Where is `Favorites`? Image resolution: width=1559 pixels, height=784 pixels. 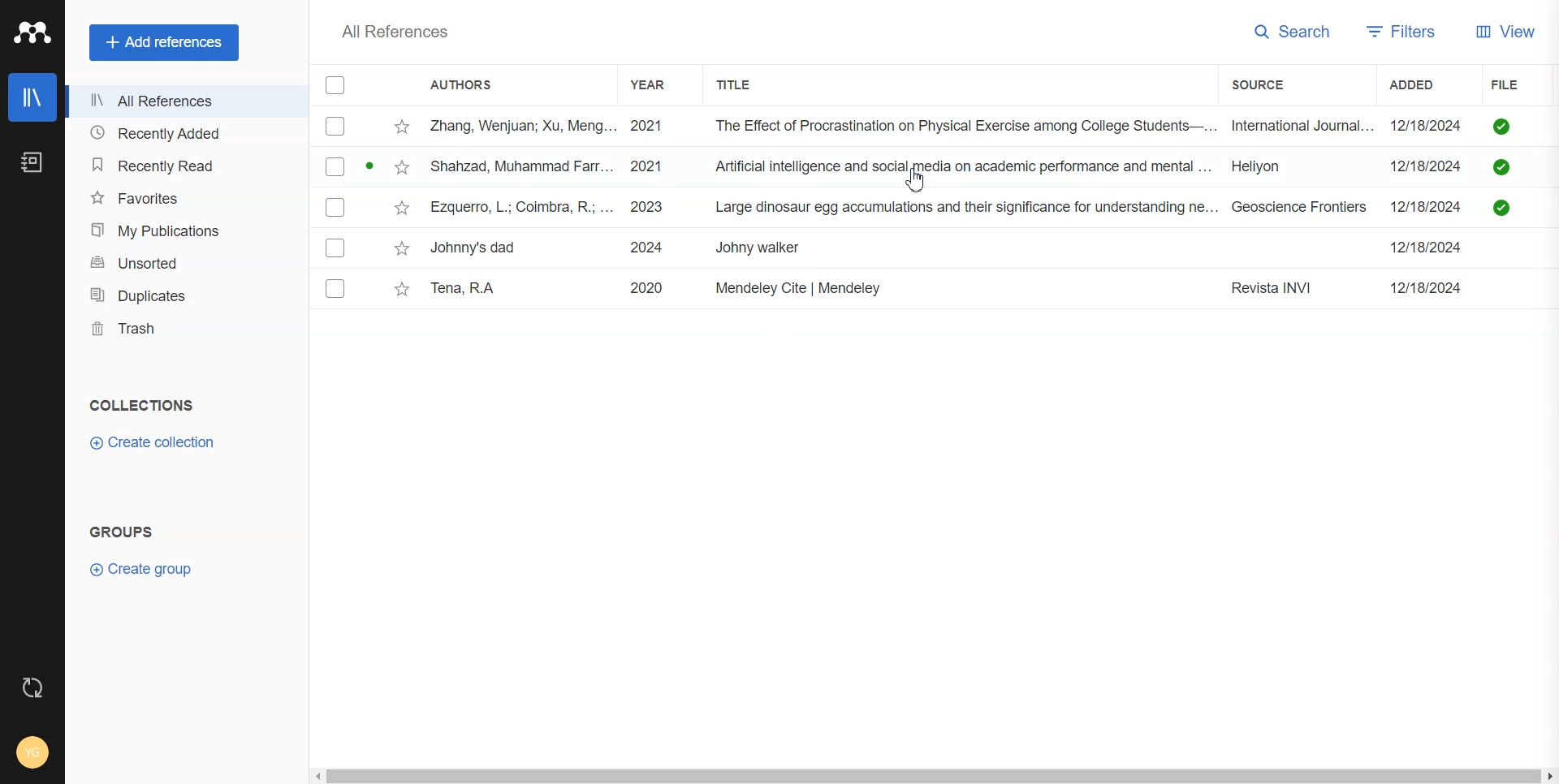
Favorites is located at coordinates (183, 196).